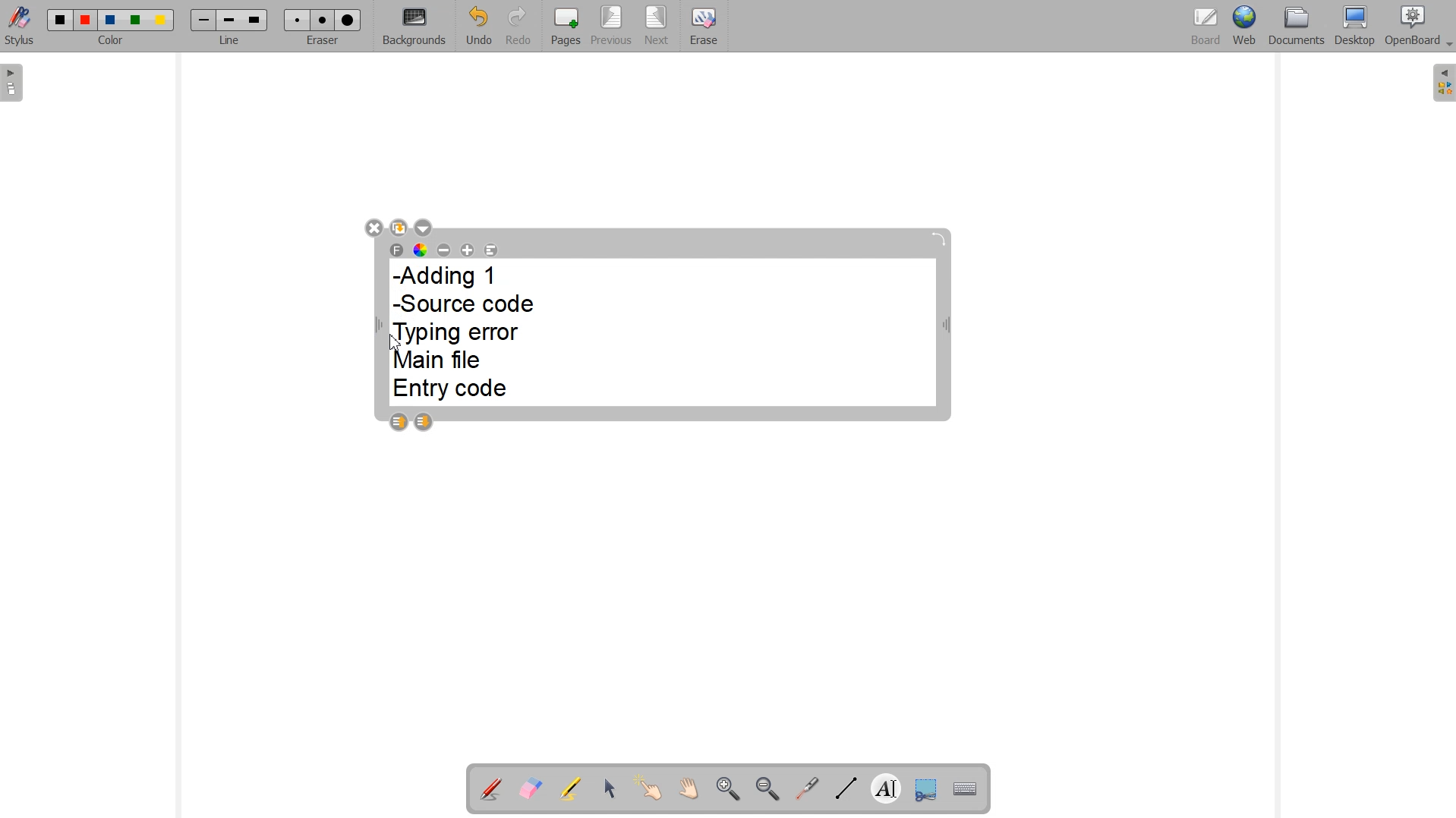 Image resolution: width=1456 pixels, height=818 pixels. What do you see at coordinates (298, 20) in the screenshot?
I see `Small eraser` at bounding box center [298, 20].